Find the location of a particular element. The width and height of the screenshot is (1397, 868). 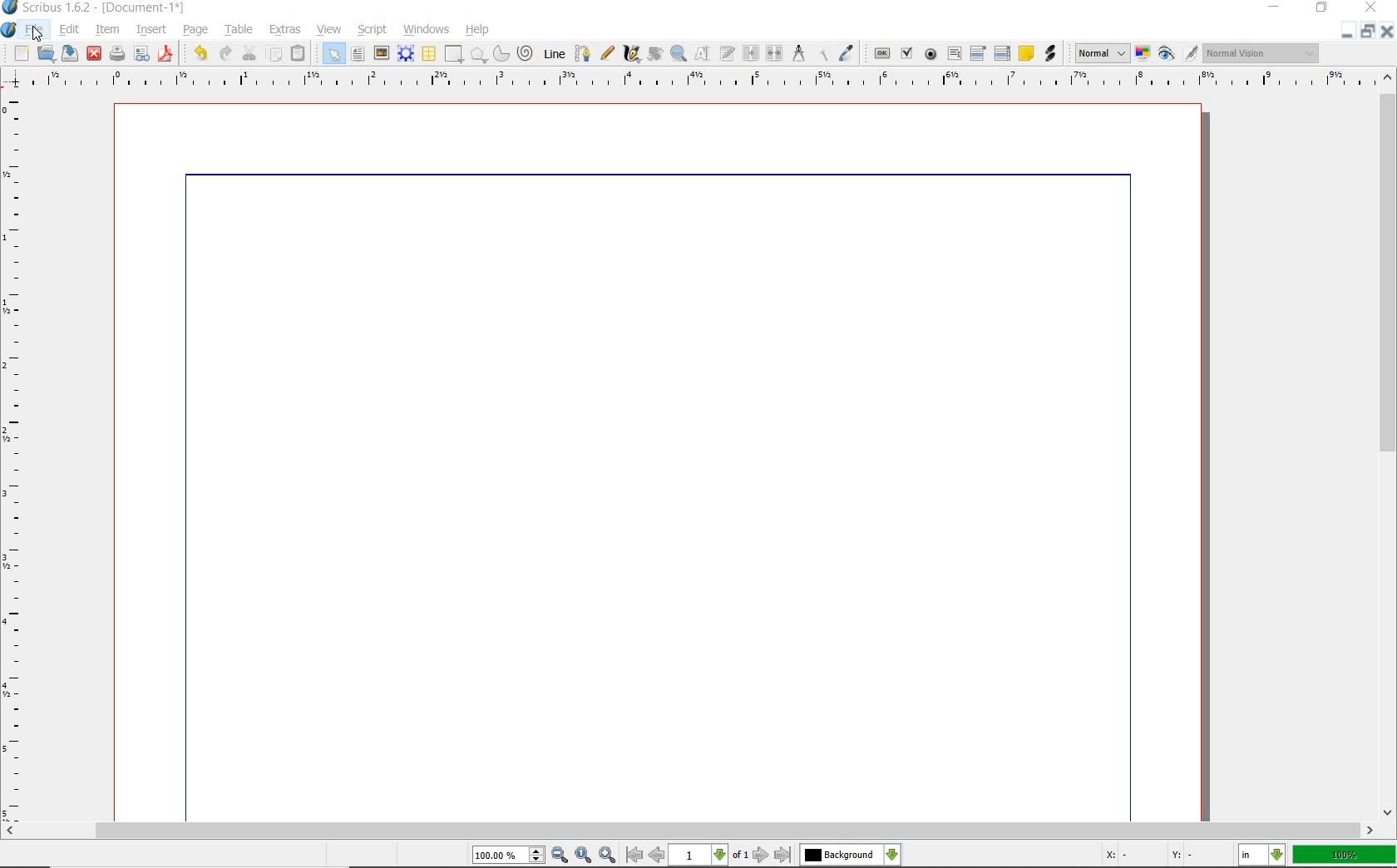

save as pdf is located at coordinates (165, 56).